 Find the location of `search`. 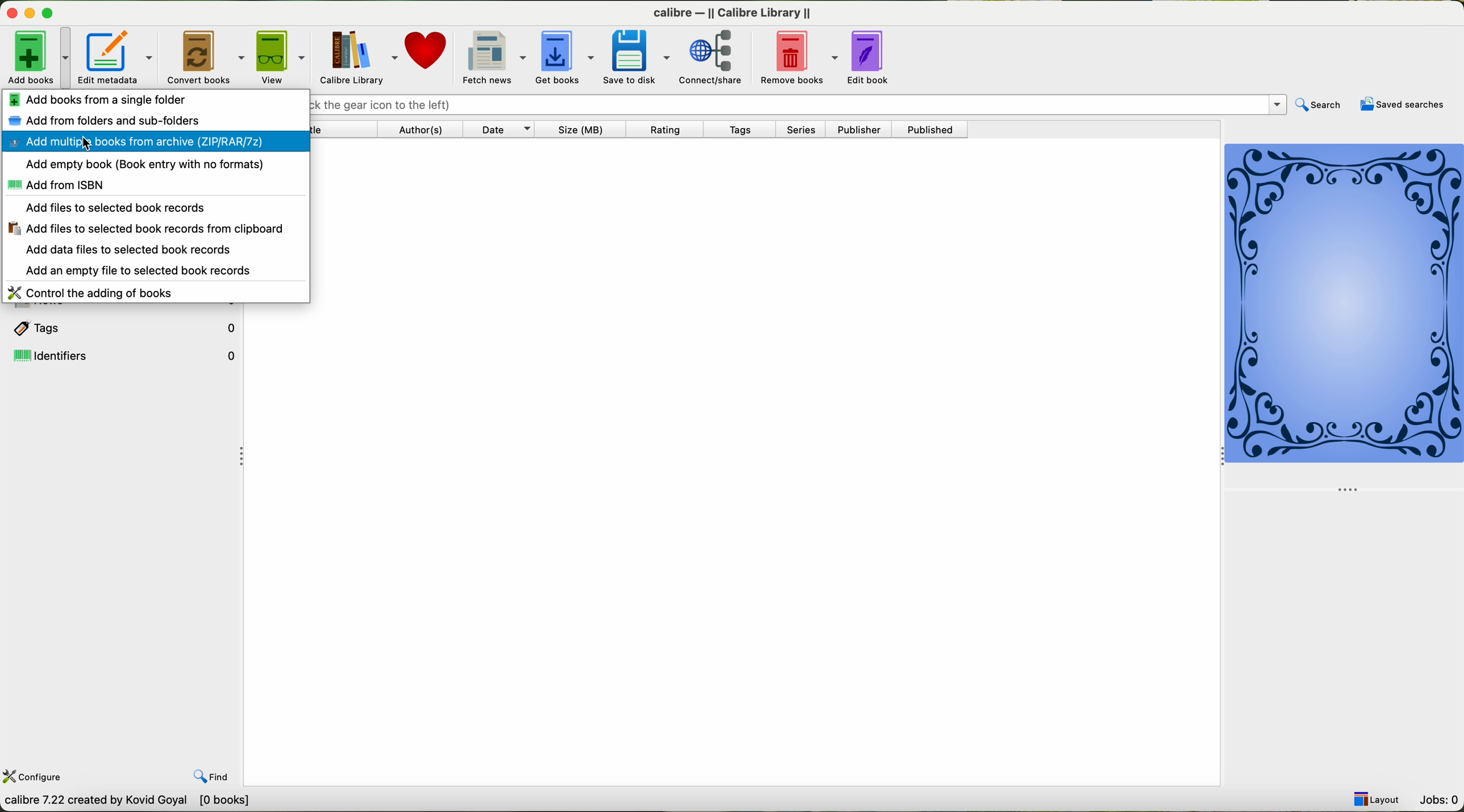

search is located at coordinates (1320, 104).